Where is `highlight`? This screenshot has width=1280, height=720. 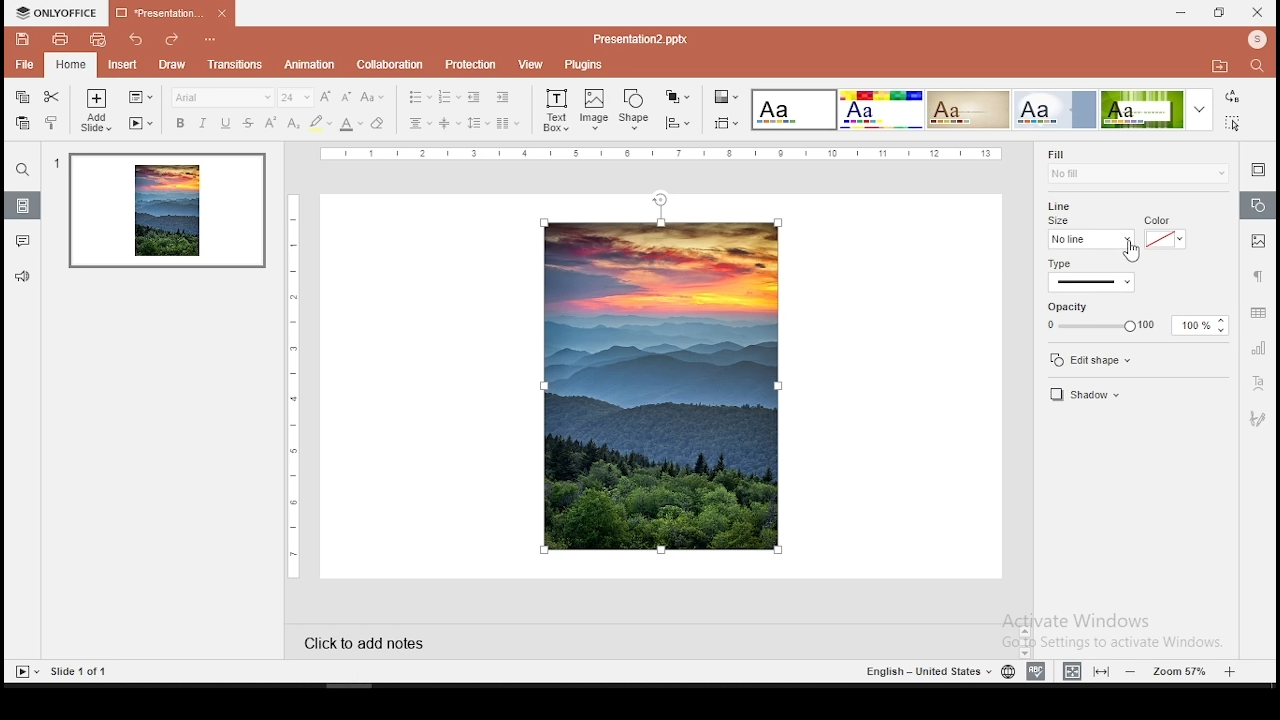
highlight is located at coordinates (320, 123).